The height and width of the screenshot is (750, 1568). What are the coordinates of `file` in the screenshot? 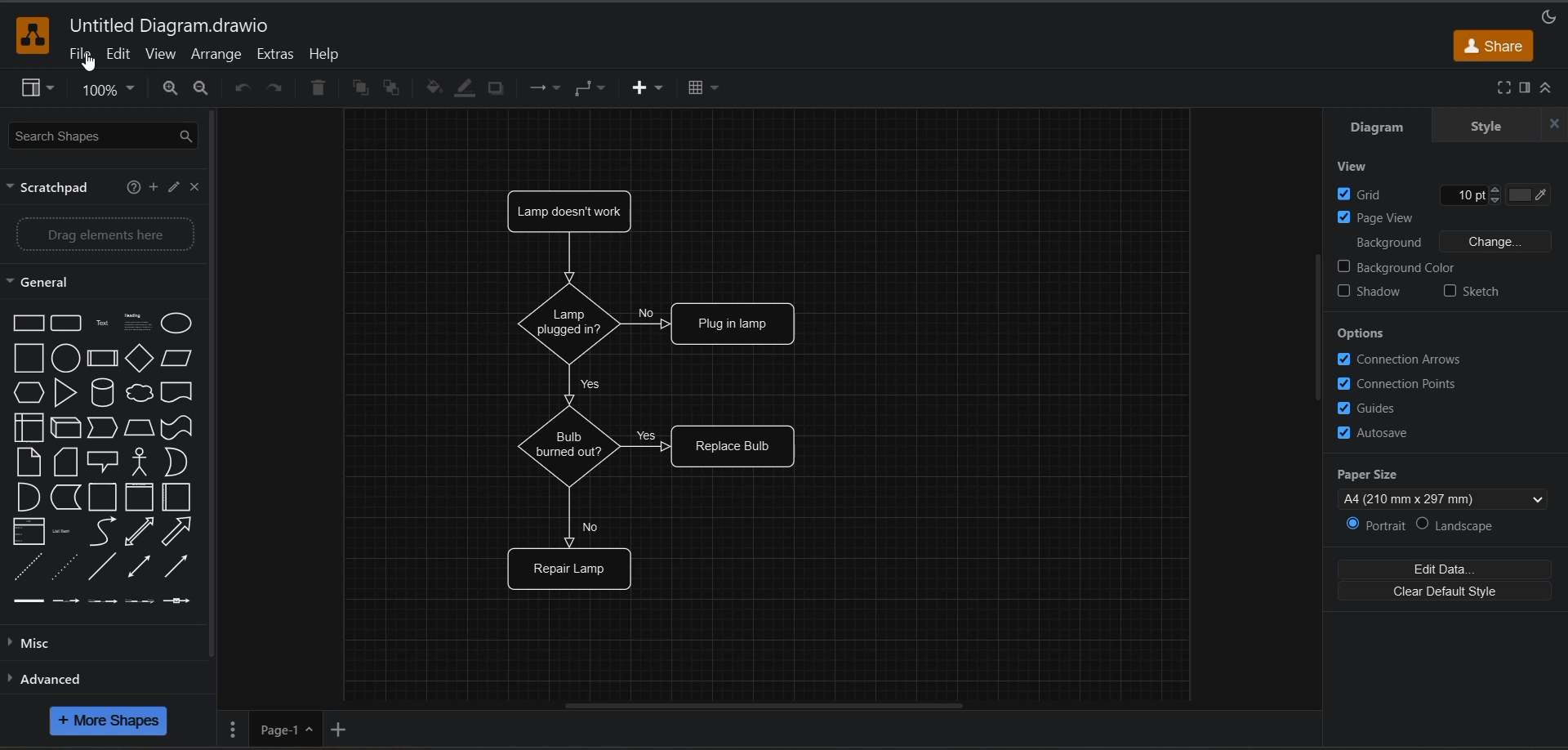 It's located at (74, 55).